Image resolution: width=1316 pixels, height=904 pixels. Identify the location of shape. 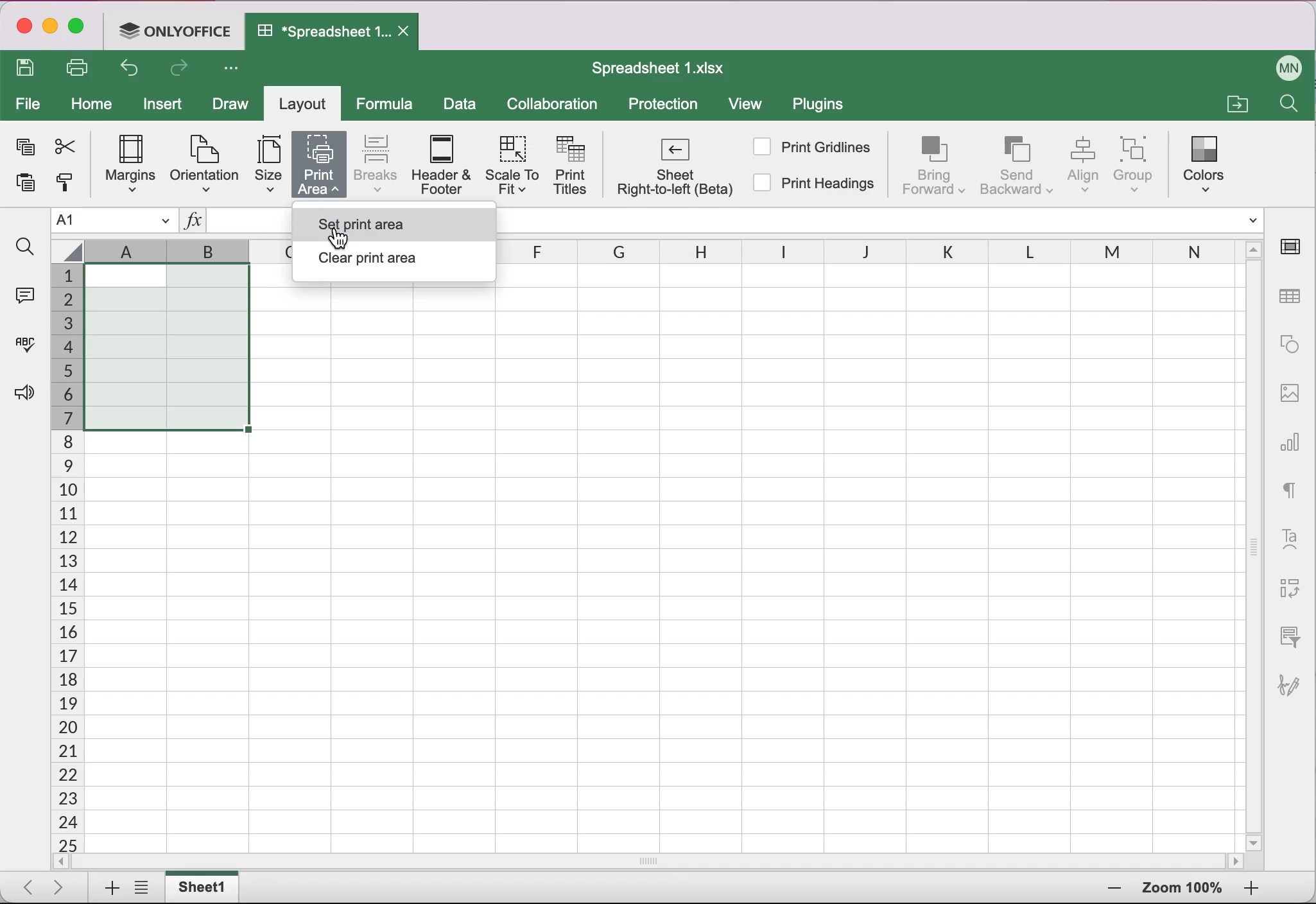
(1290, 344).